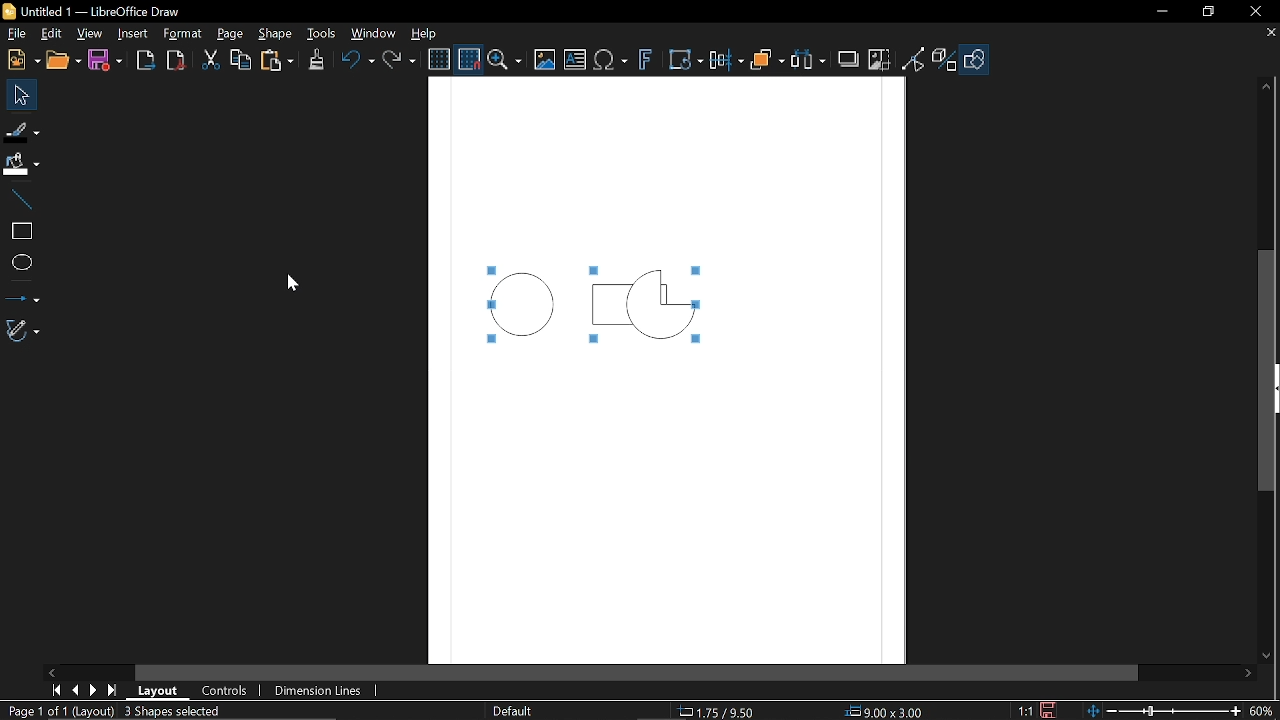 Image resolution: width=1280 pixels, height=720 pixels. I want to click on First page, so click(54, 691).